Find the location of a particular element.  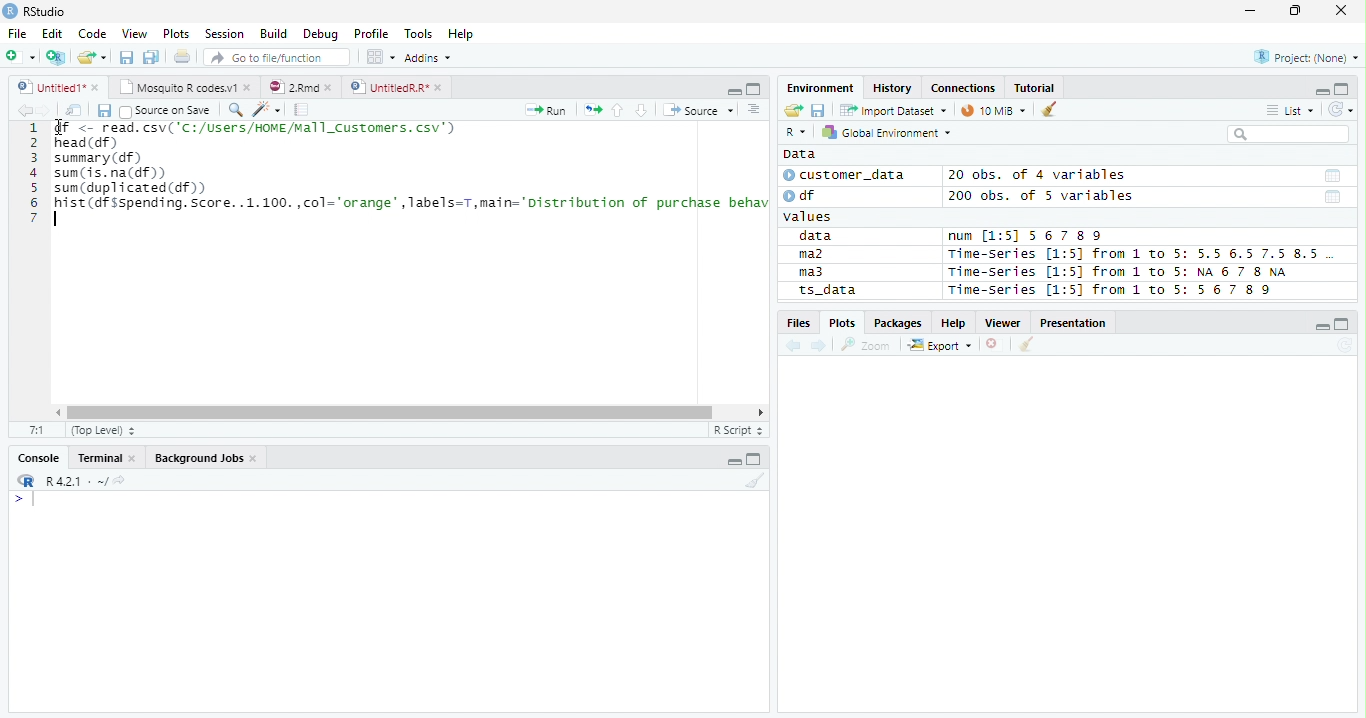

Date is located at coordinates (1333, 198).